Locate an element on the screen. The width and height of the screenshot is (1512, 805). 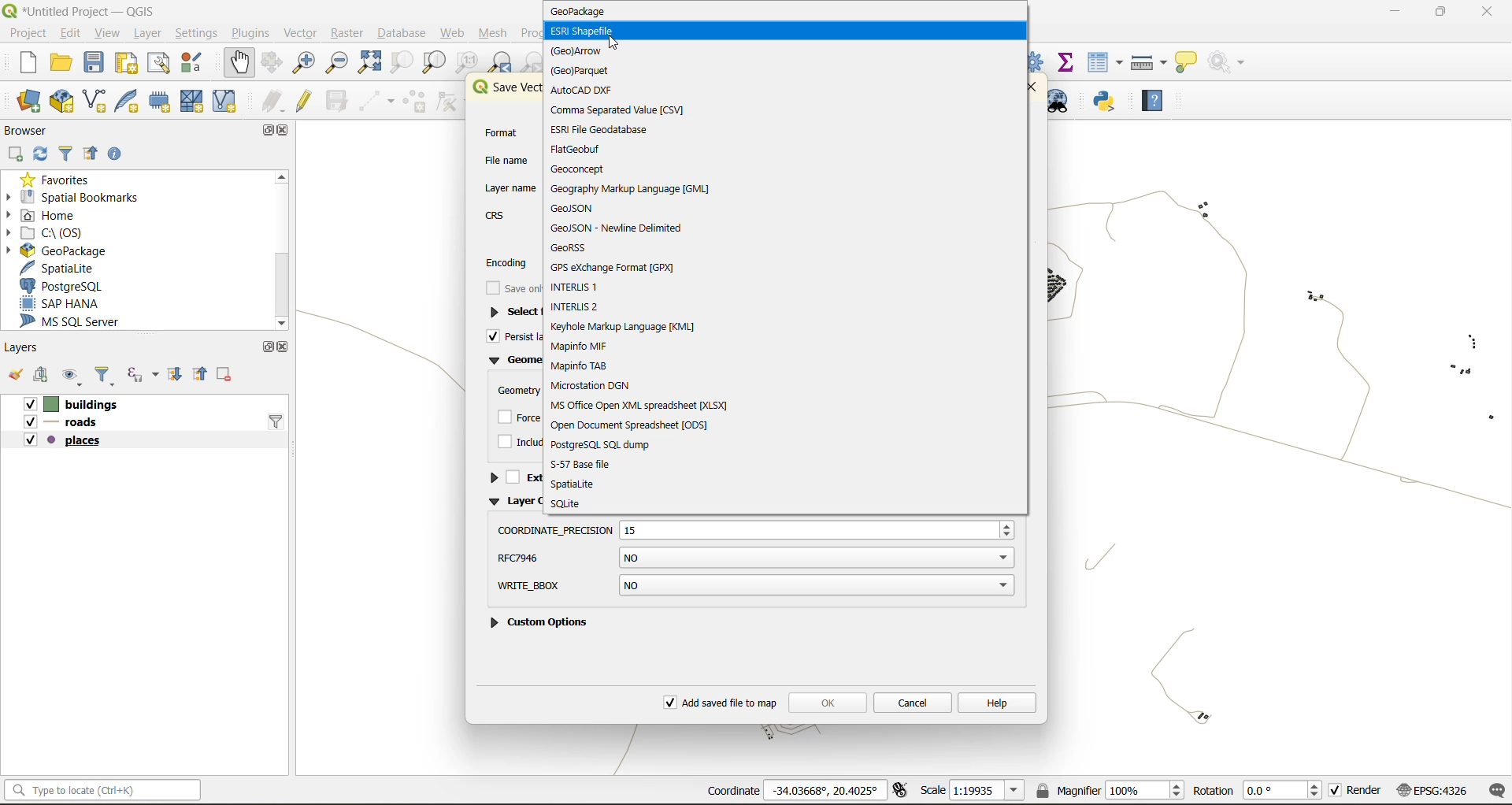
remove is located at coordinates (227, 376).